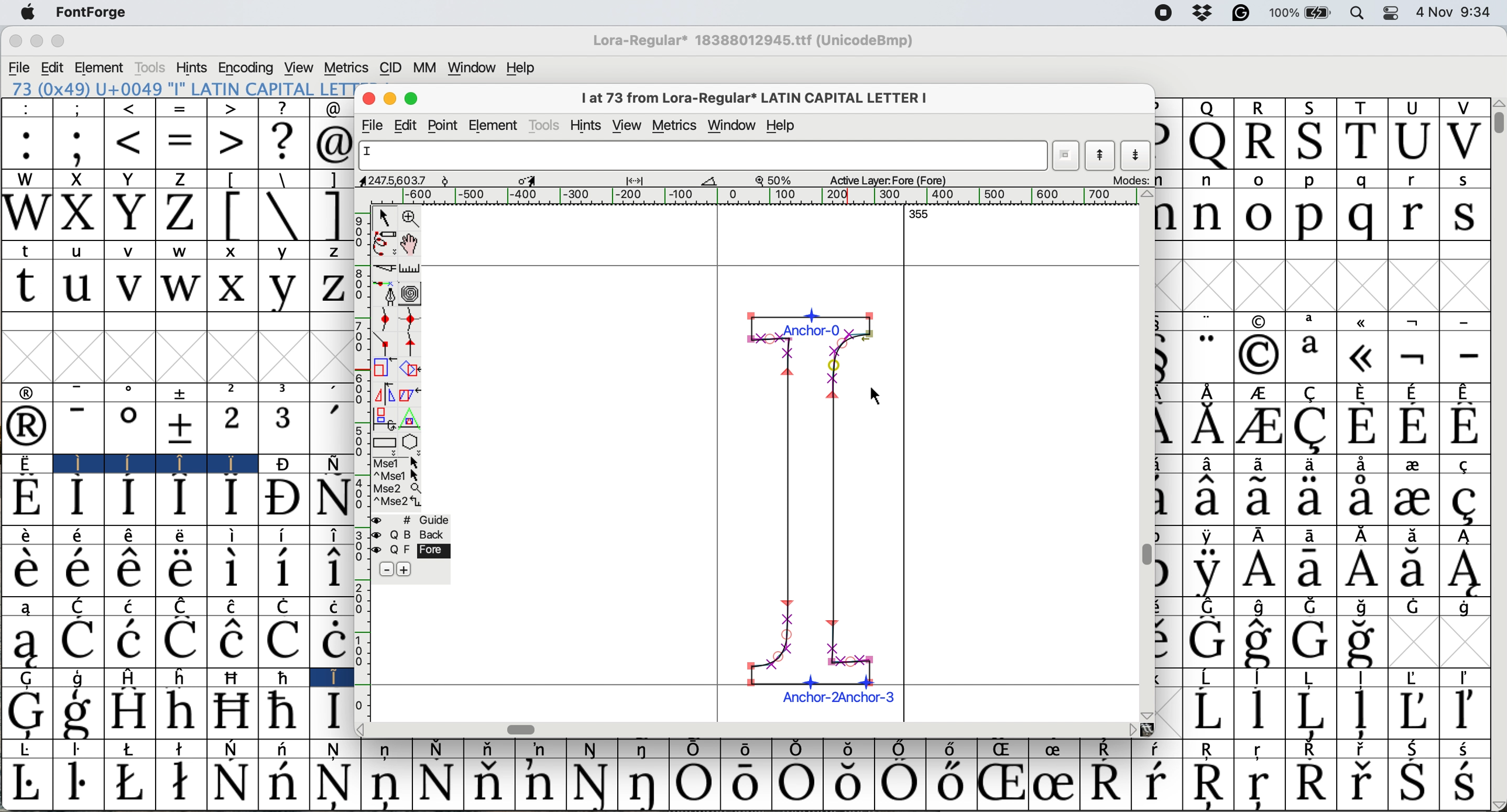 This screenshot has height=812, width=1507. I want to click on Symbol, so click(330, 605).